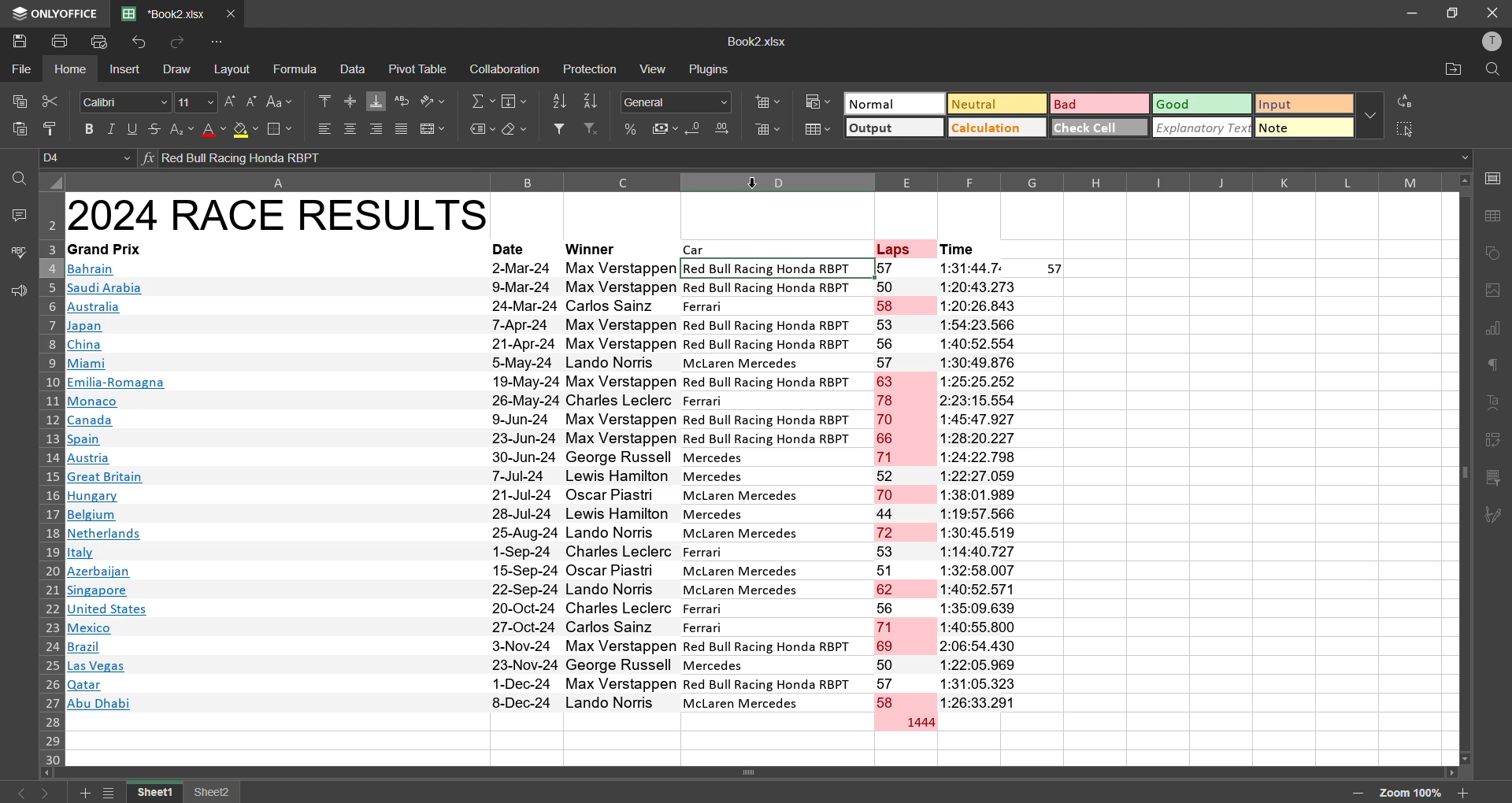 The image size is (1512, 803). What do you see at coordinates (380, 128) in the screenshot?
I see `align right` at bounding box center [380, 128].